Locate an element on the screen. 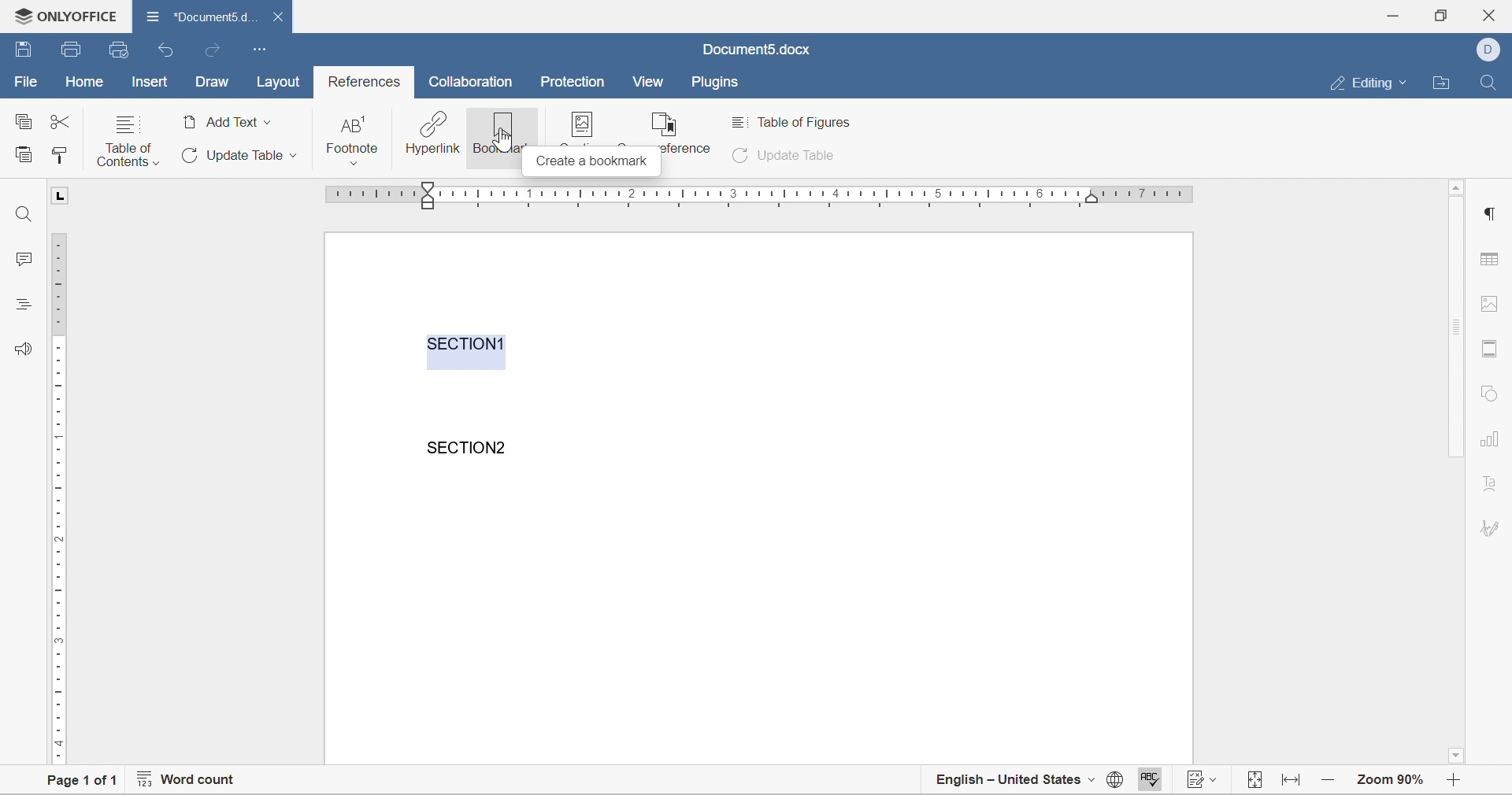 The width and height of the screenshot is (1512, 795). track changes is located at coordinates (1205, 782).